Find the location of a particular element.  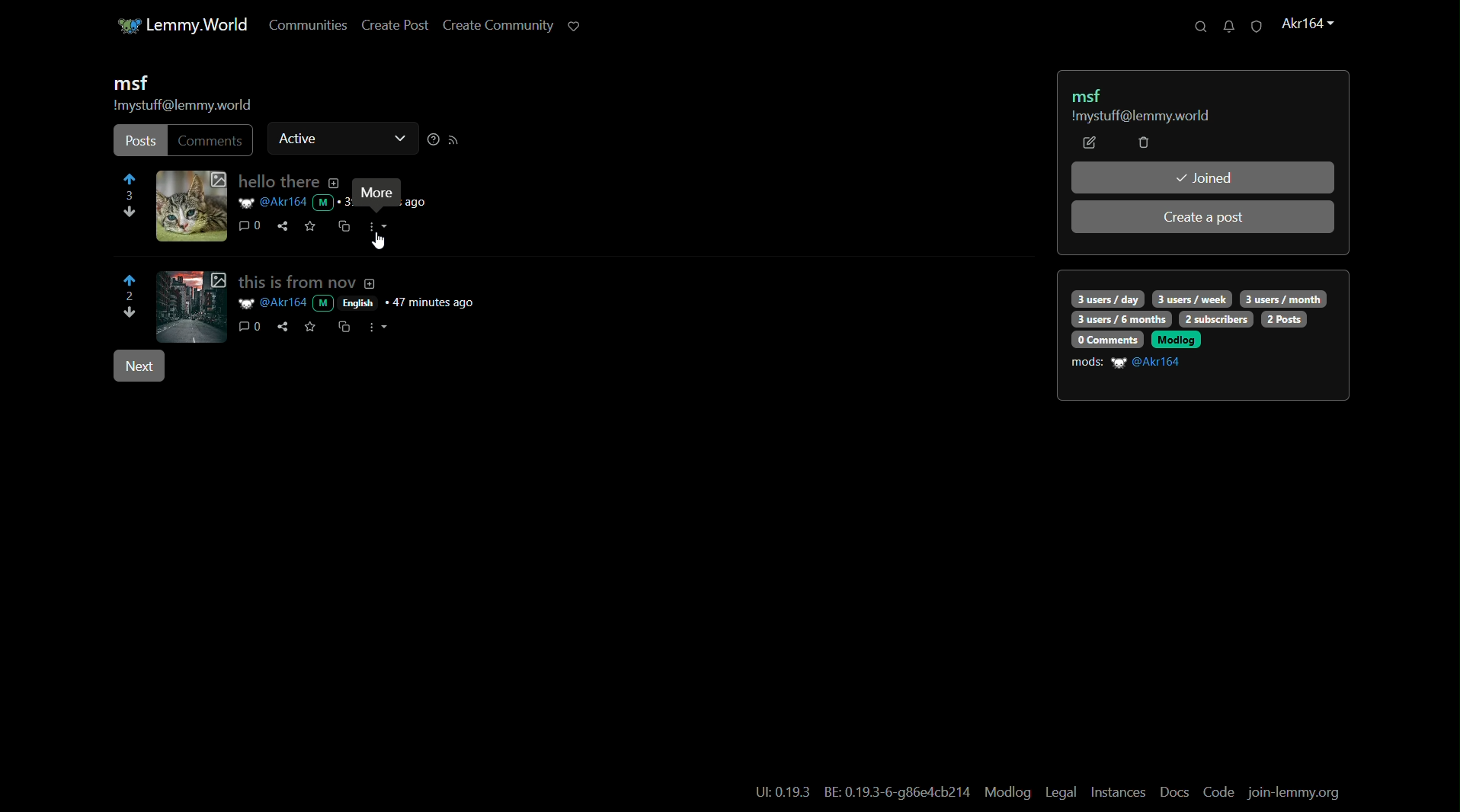

downvote is located at coordinates (127, 215).